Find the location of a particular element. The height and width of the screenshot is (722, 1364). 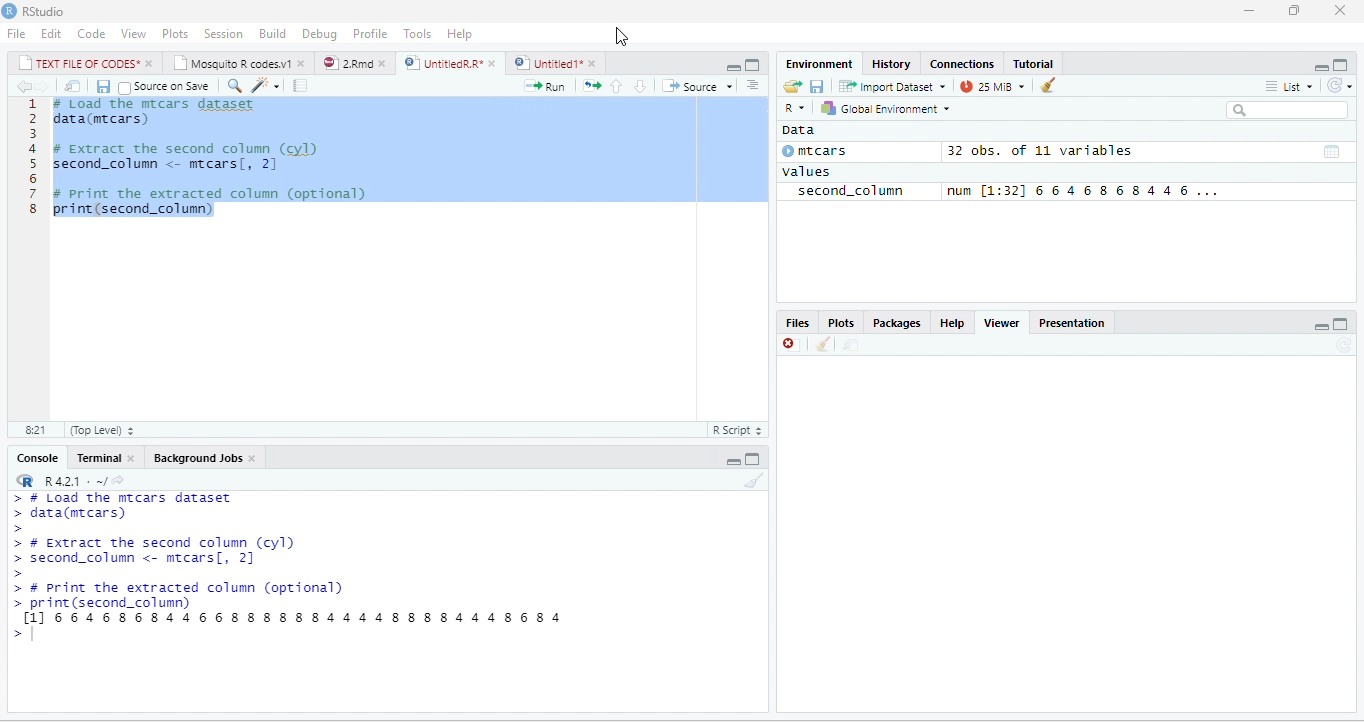

View is located at coordinates (134, 32).